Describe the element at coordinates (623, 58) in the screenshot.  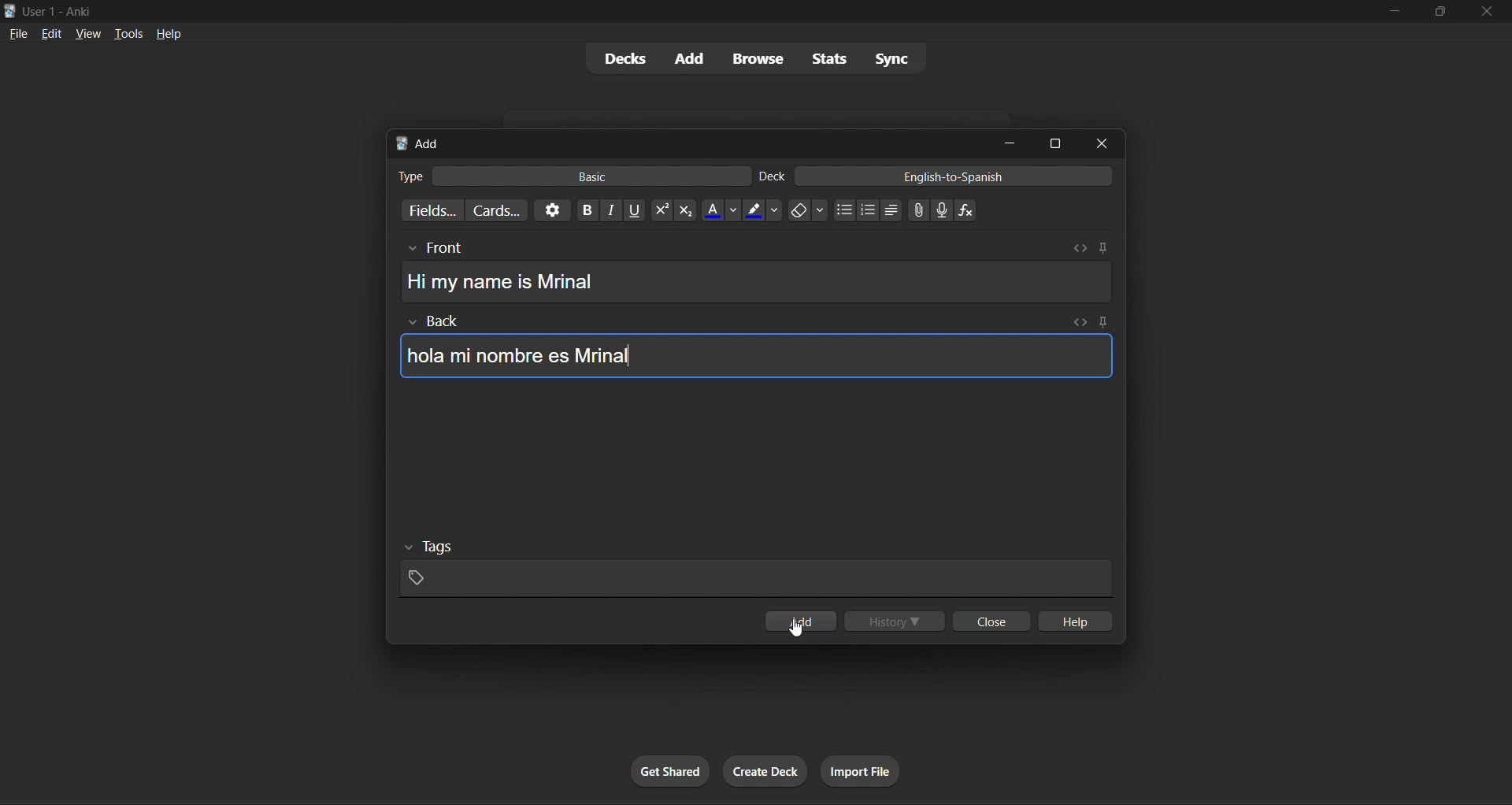
I see `decks` at that location.